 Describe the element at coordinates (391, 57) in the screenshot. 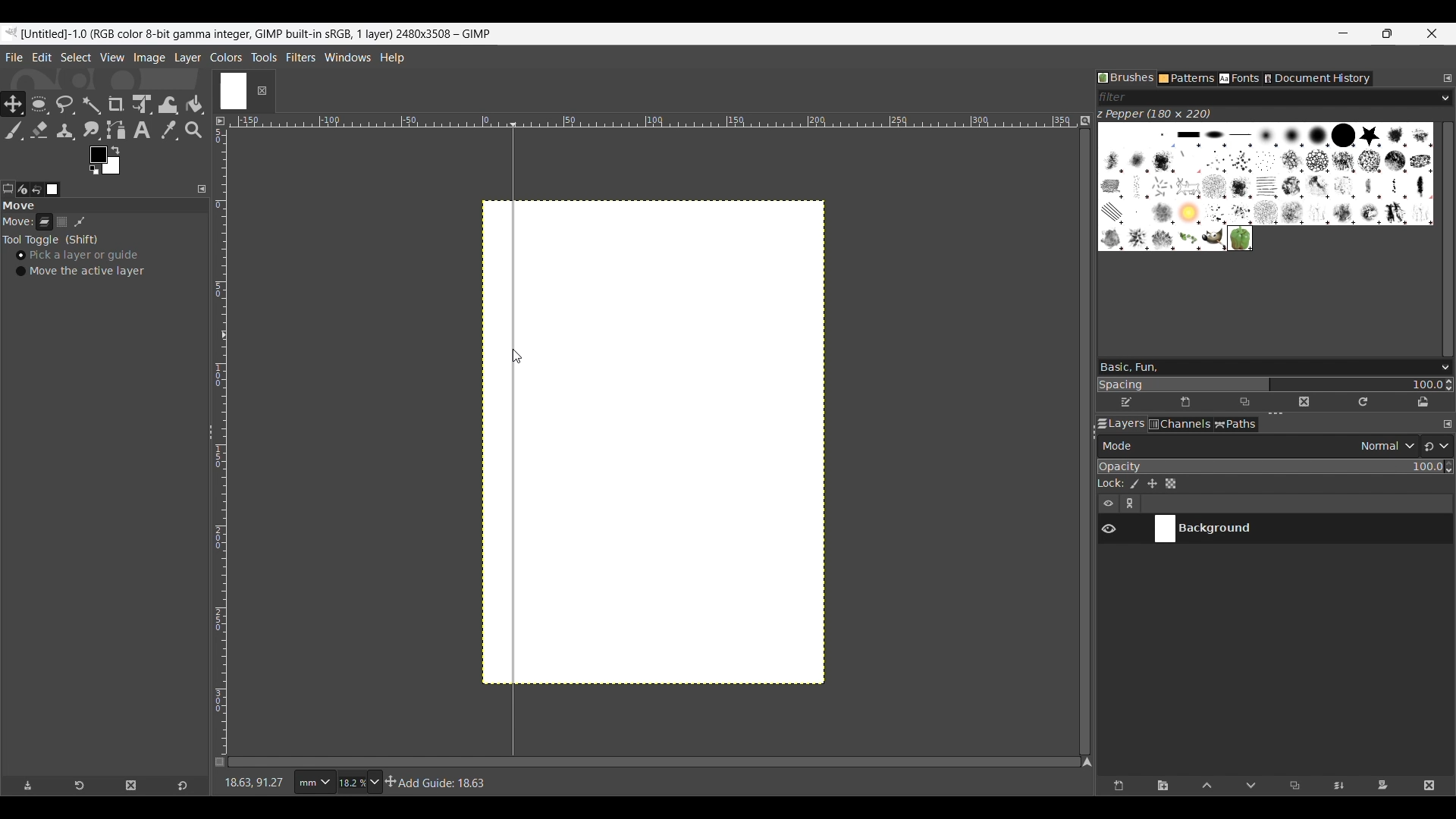

I see `Help menu` at that location.